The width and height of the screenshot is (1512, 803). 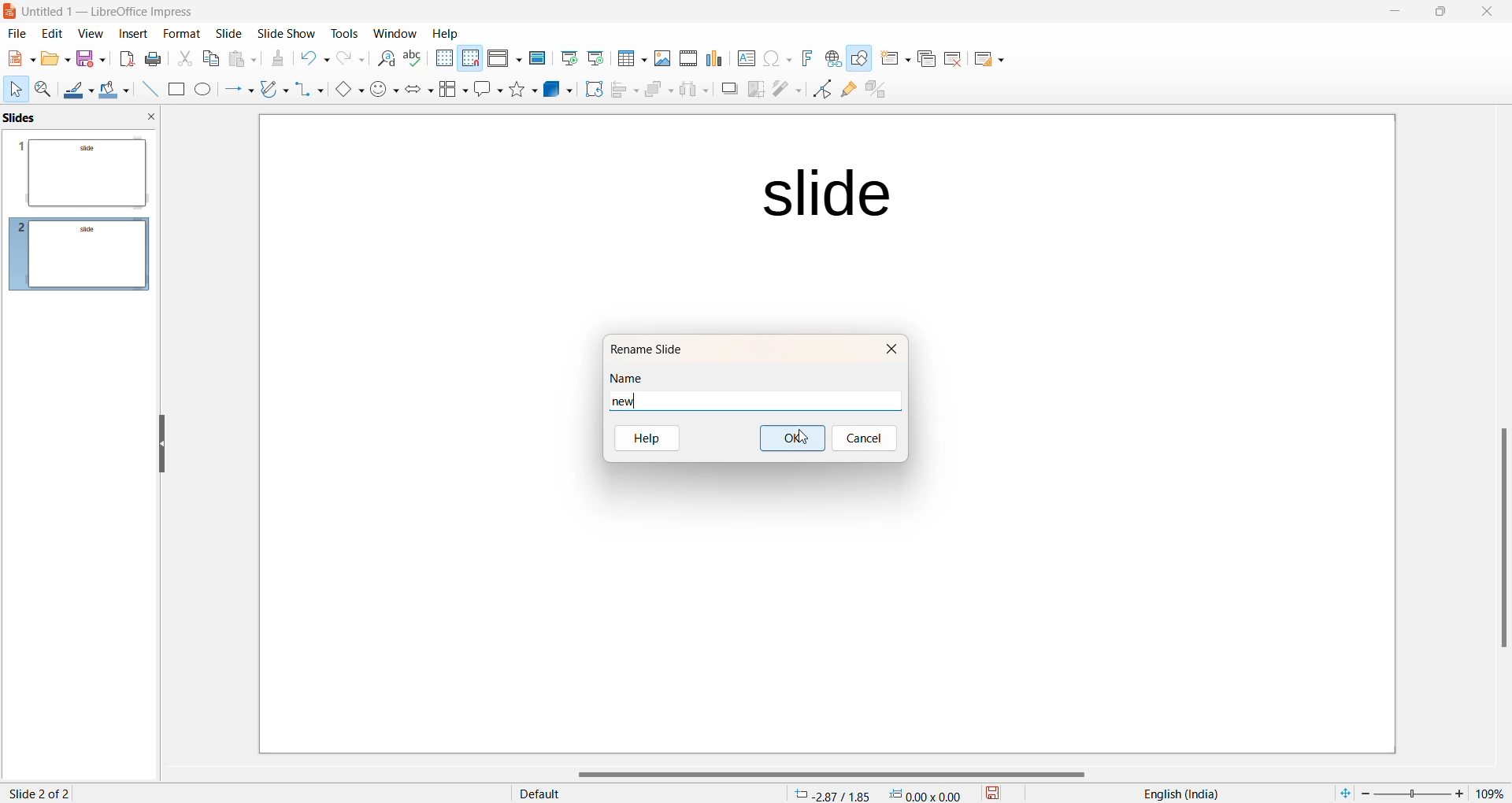 I want to click on Spellings, so click(x=413, y=58).